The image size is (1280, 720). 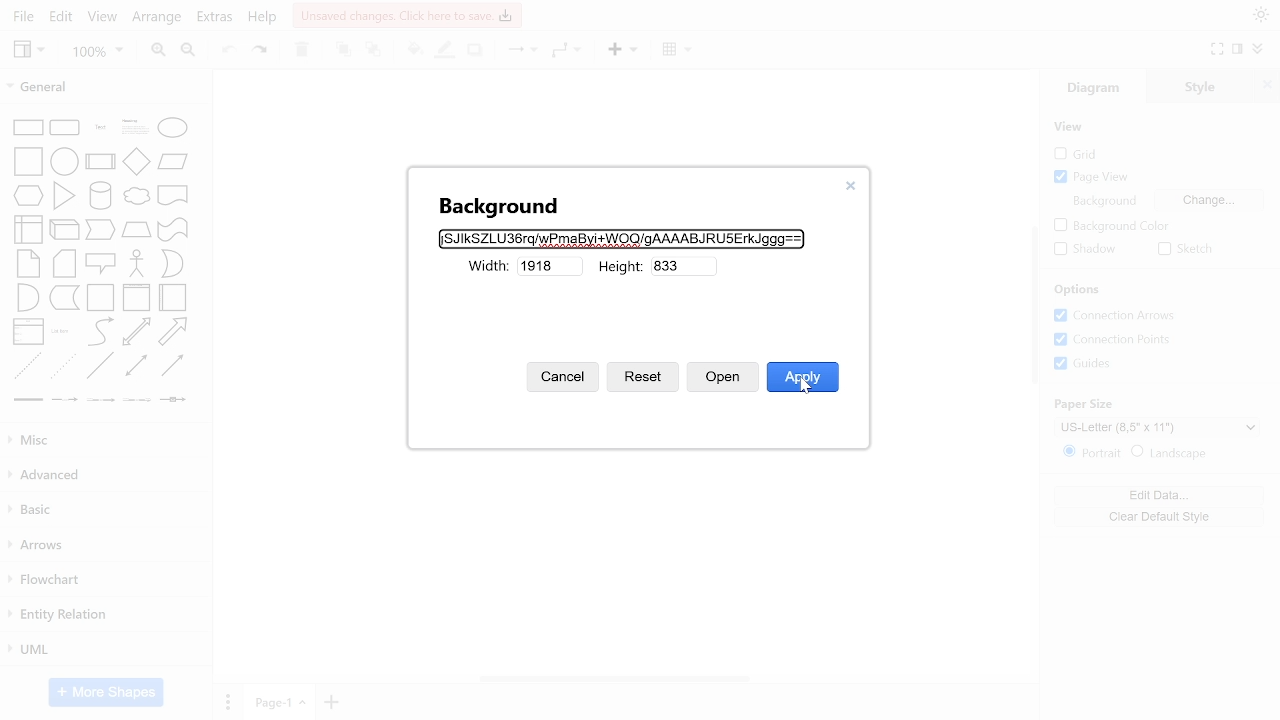 What do you see at coordinates (190, 51) in the screenshot?
I see `zoom out` at bounding box center [190, 51].